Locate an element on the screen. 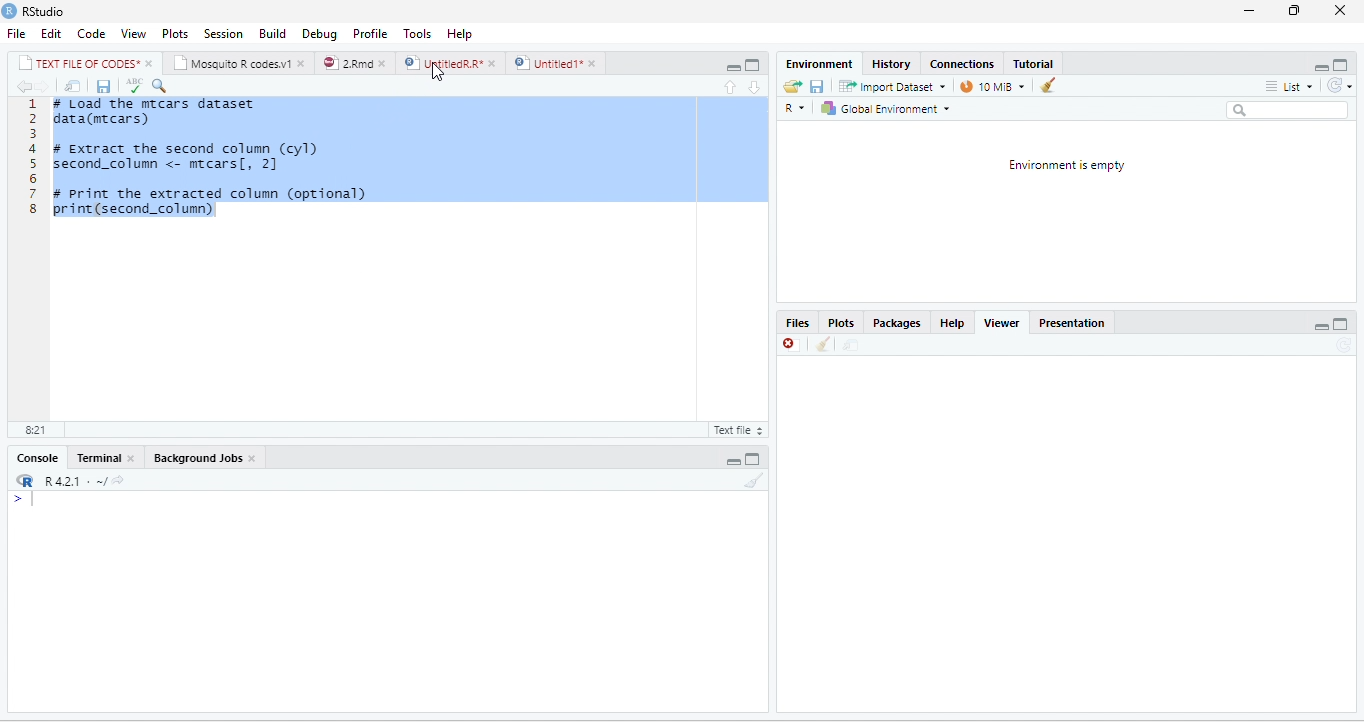 Image resolution: width=1364 pixels, height=722 pixels. Session is located at coordinates (221, 32).